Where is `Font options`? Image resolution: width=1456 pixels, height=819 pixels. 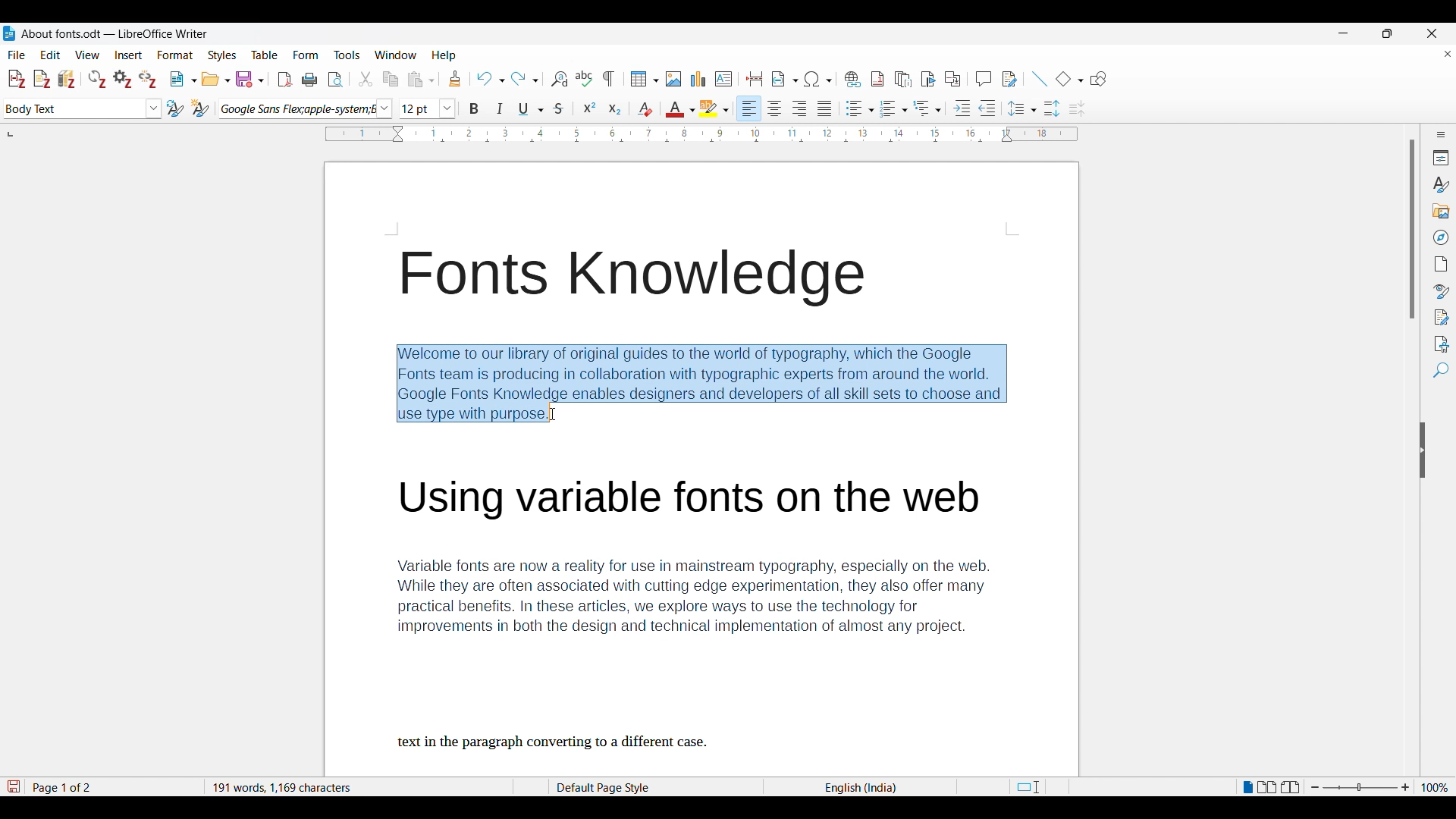
Font options is located at coordinates (306, 109).